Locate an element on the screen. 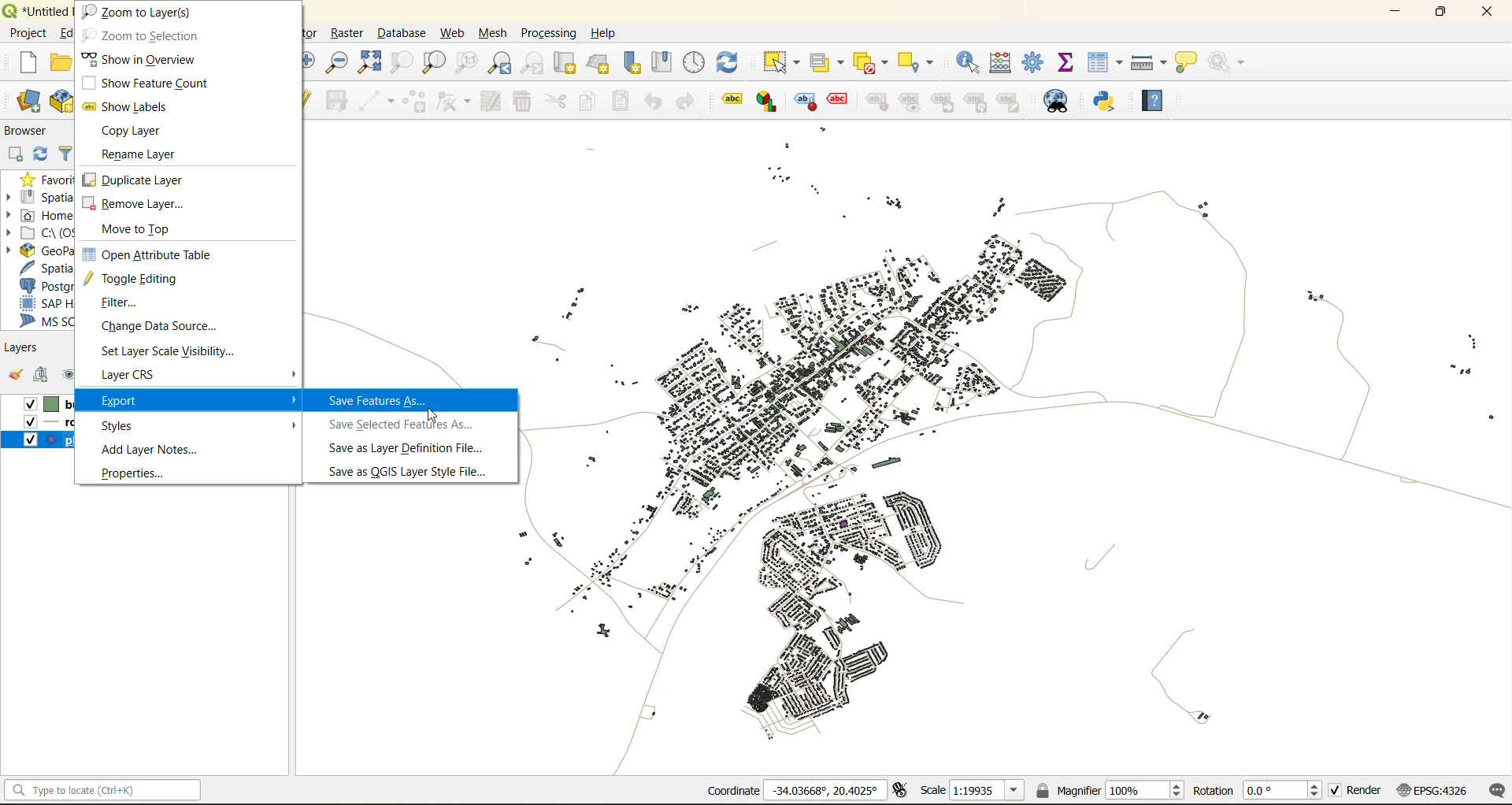  add polygon is located at coordinates (416, 102).